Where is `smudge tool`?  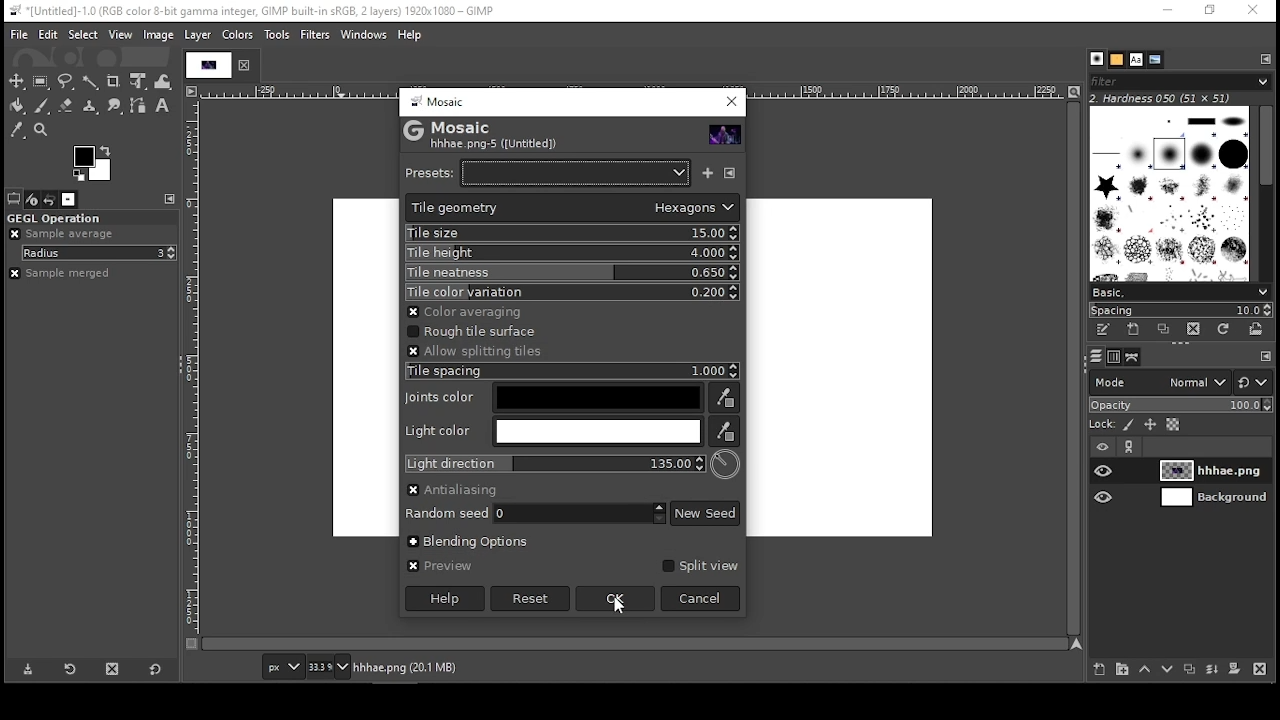 smudge tool is located at coordinates (116, 108).